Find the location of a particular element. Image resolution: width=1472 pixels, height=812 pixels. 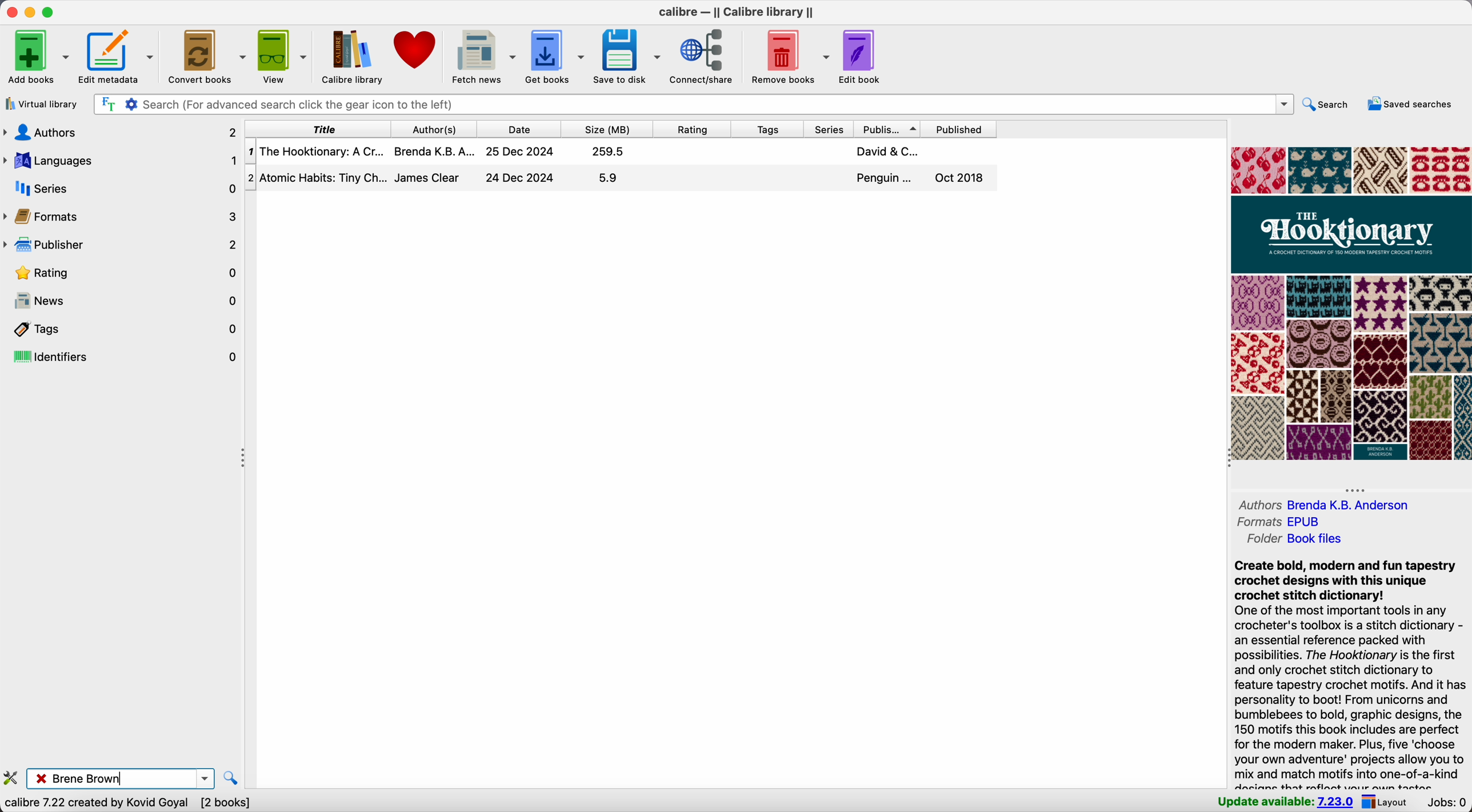

donate is located at coordinates (417, 49).